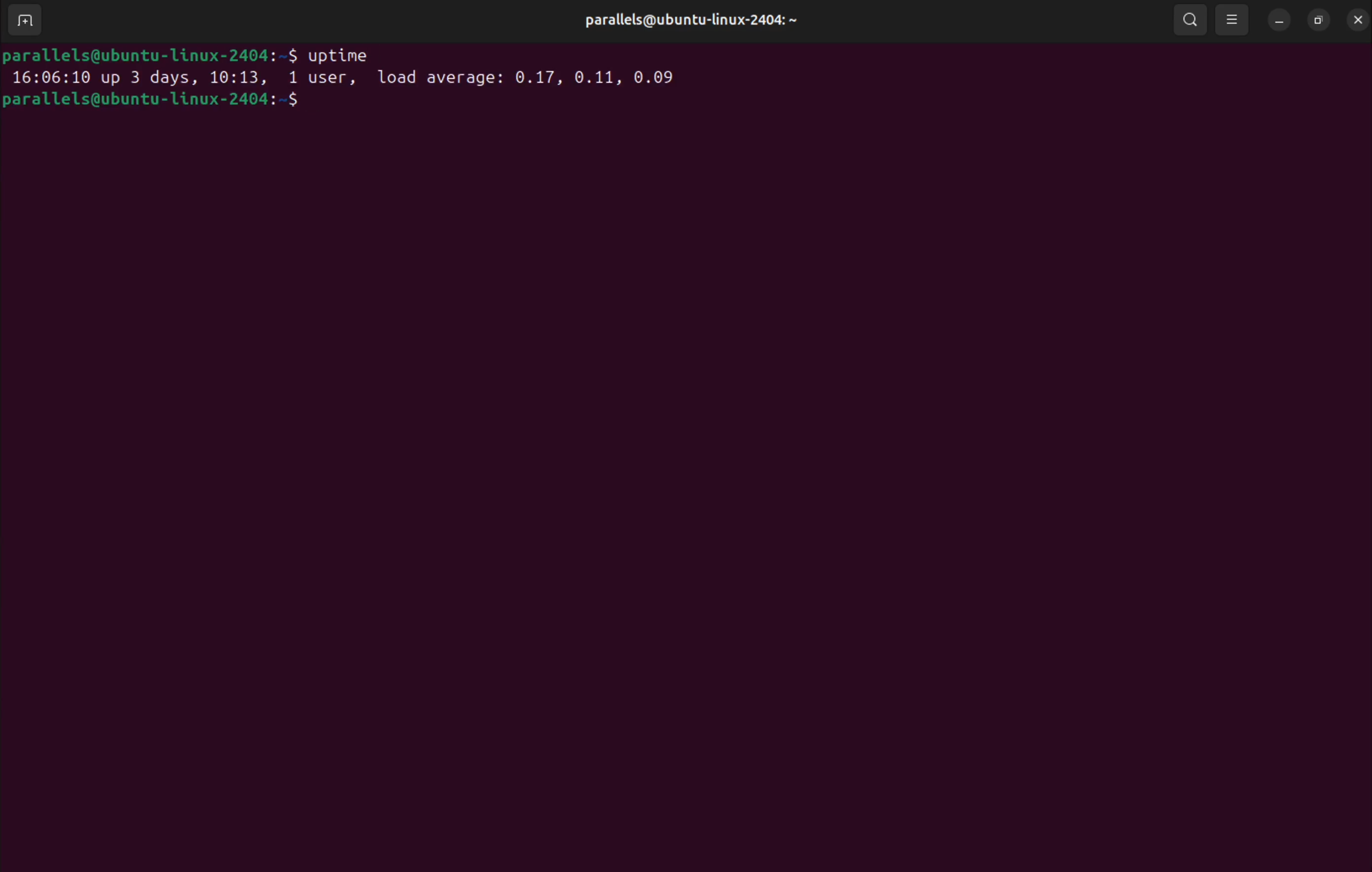 This screenshot has width=1372, height=872. Describe the element at coordinates (280, 77) in the screenshot. I see `port user` at that location.